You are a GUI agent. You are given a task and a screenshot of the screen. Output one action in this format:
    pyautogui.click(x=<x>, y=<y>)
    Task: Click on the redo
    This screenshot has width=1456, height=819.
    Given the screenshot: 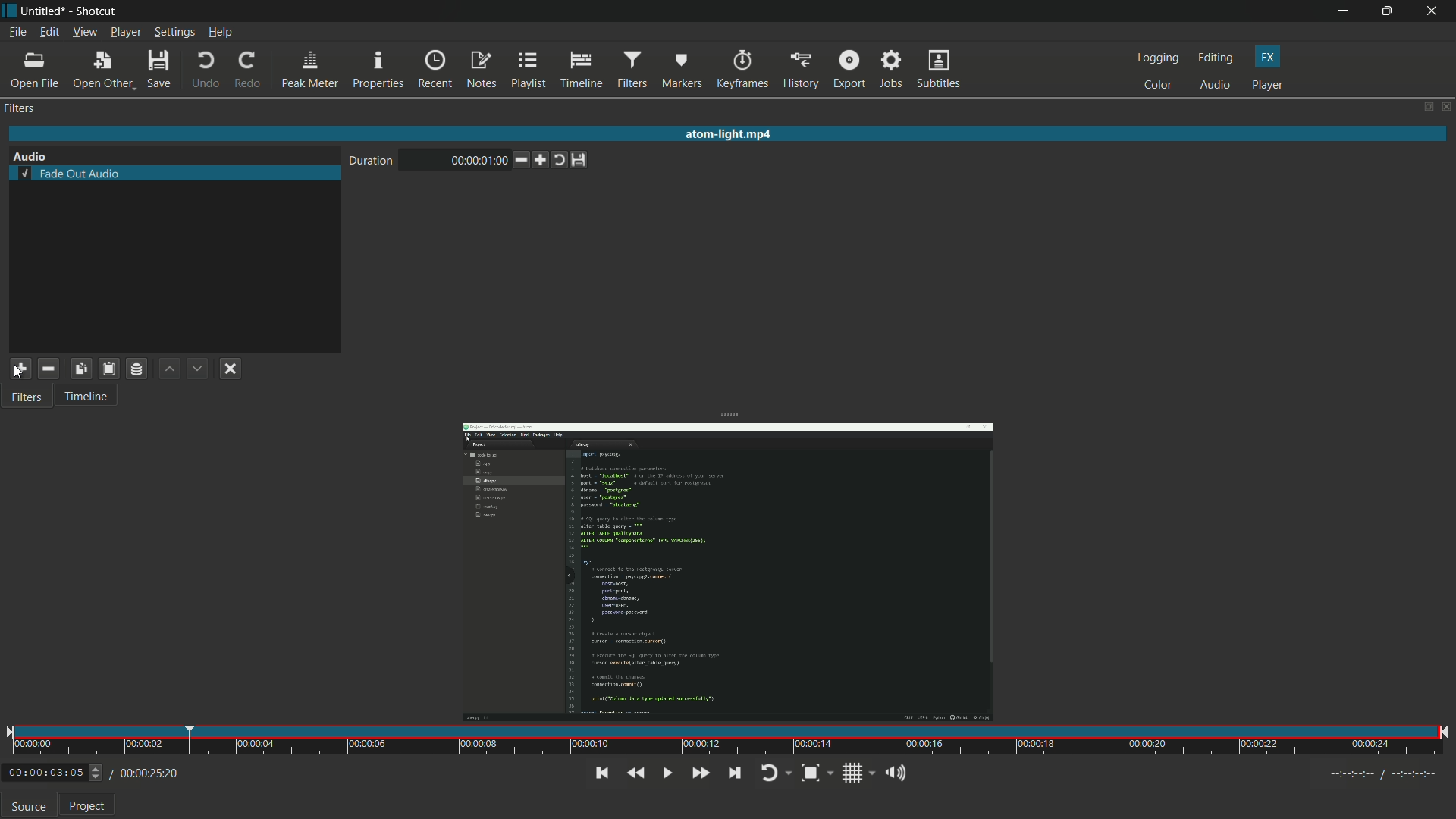 What is the action you would take?
    pyautogui.click(x=249, y=71)
    